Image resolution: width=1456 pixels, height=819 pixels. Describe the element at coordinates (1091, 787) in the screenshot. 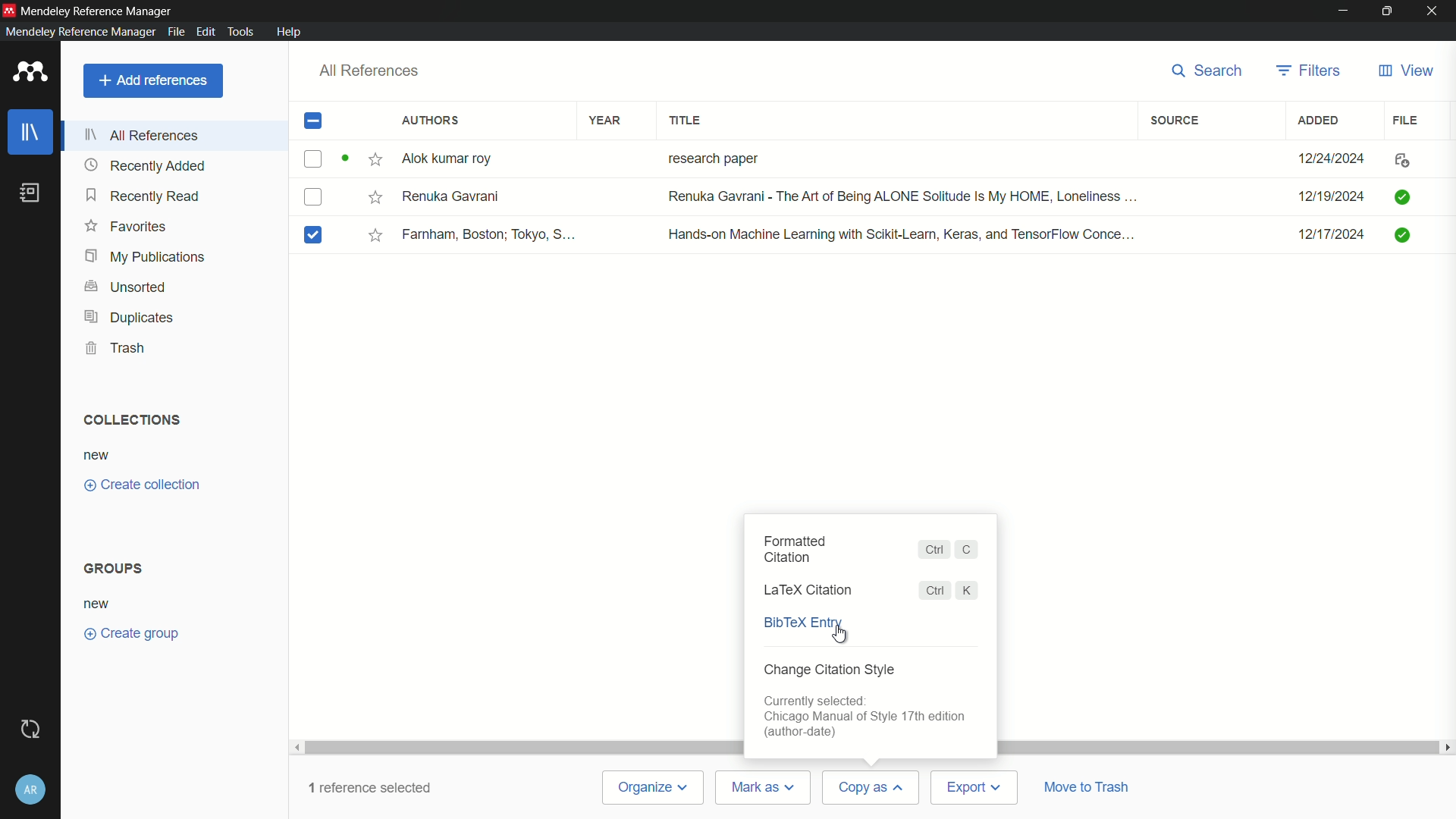

I see `move to trash` at that location.